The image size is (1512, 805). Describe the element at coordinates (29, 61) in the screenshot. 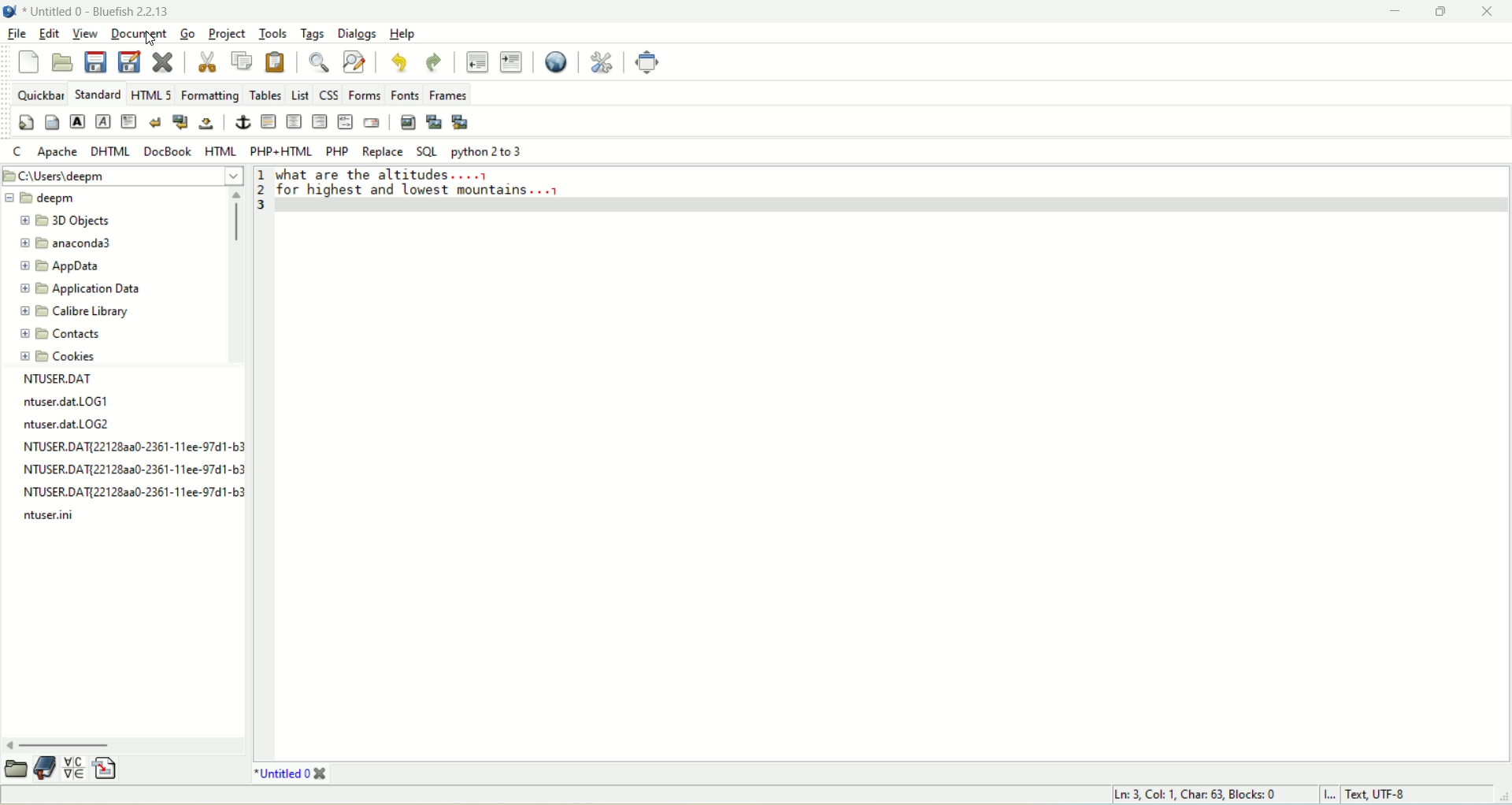

I see `new` at that location.